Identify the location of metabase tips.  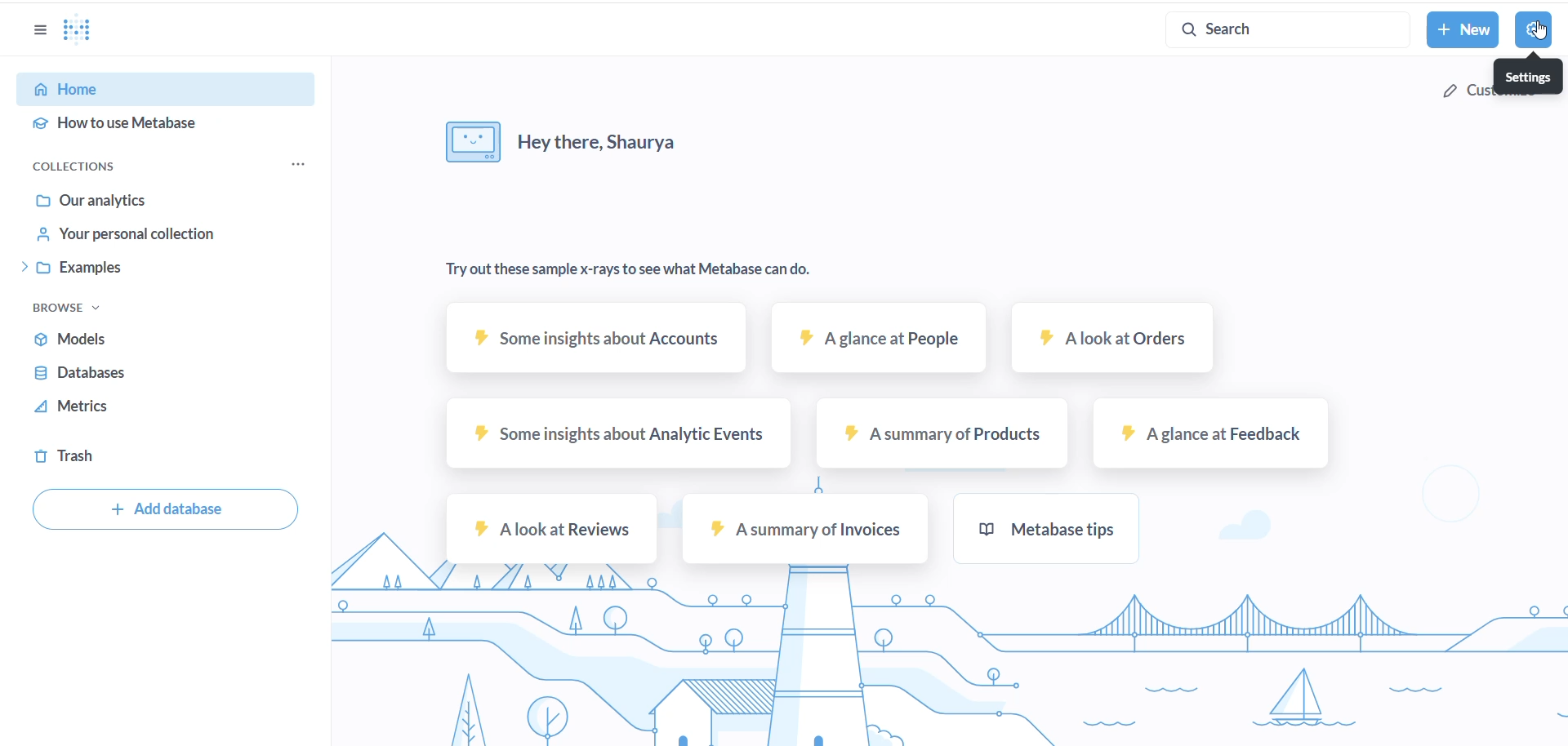
(1046, 531).